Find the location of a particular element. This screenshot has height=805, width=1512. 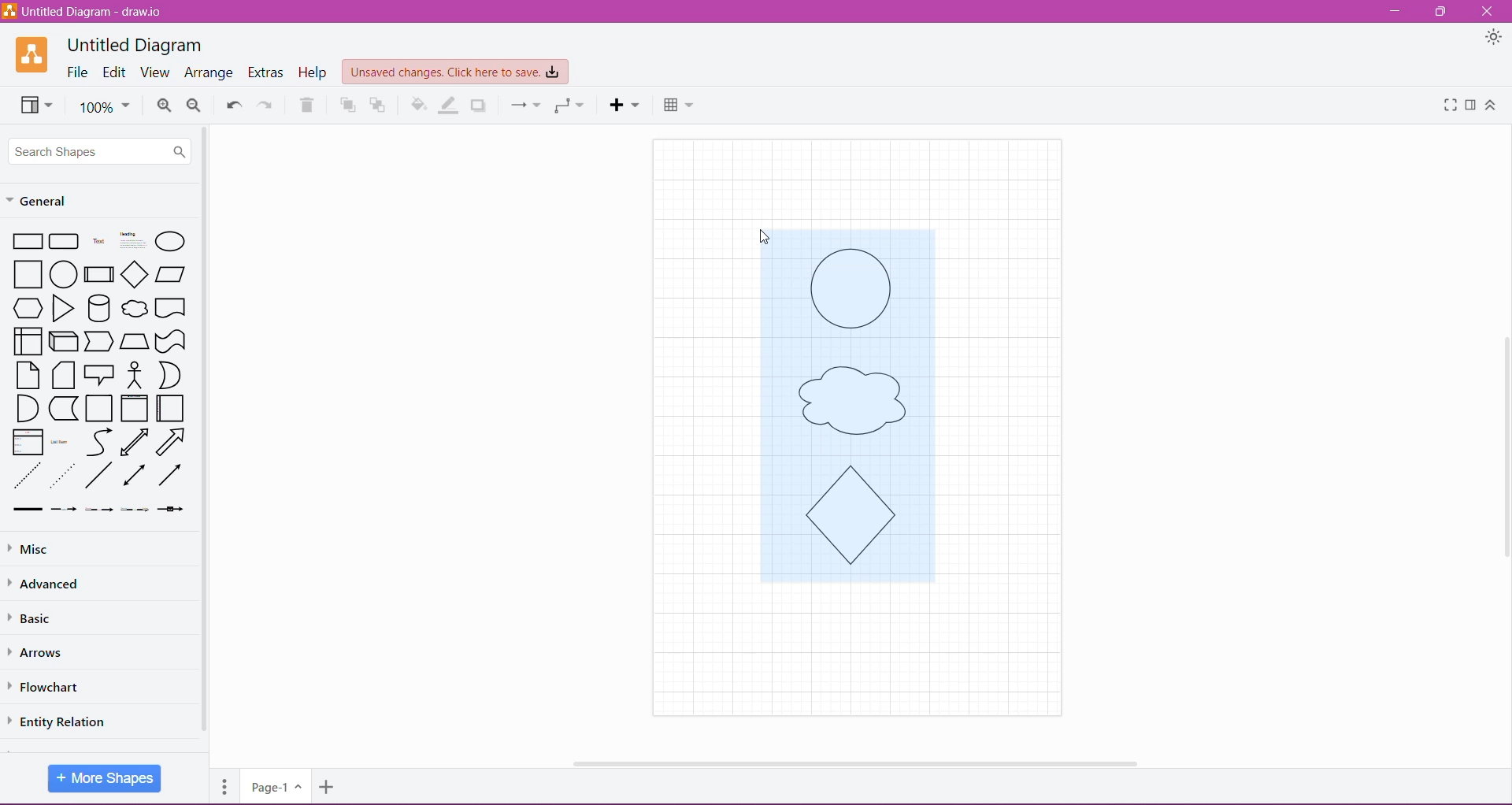

Help is located at coordinates (314, 72).